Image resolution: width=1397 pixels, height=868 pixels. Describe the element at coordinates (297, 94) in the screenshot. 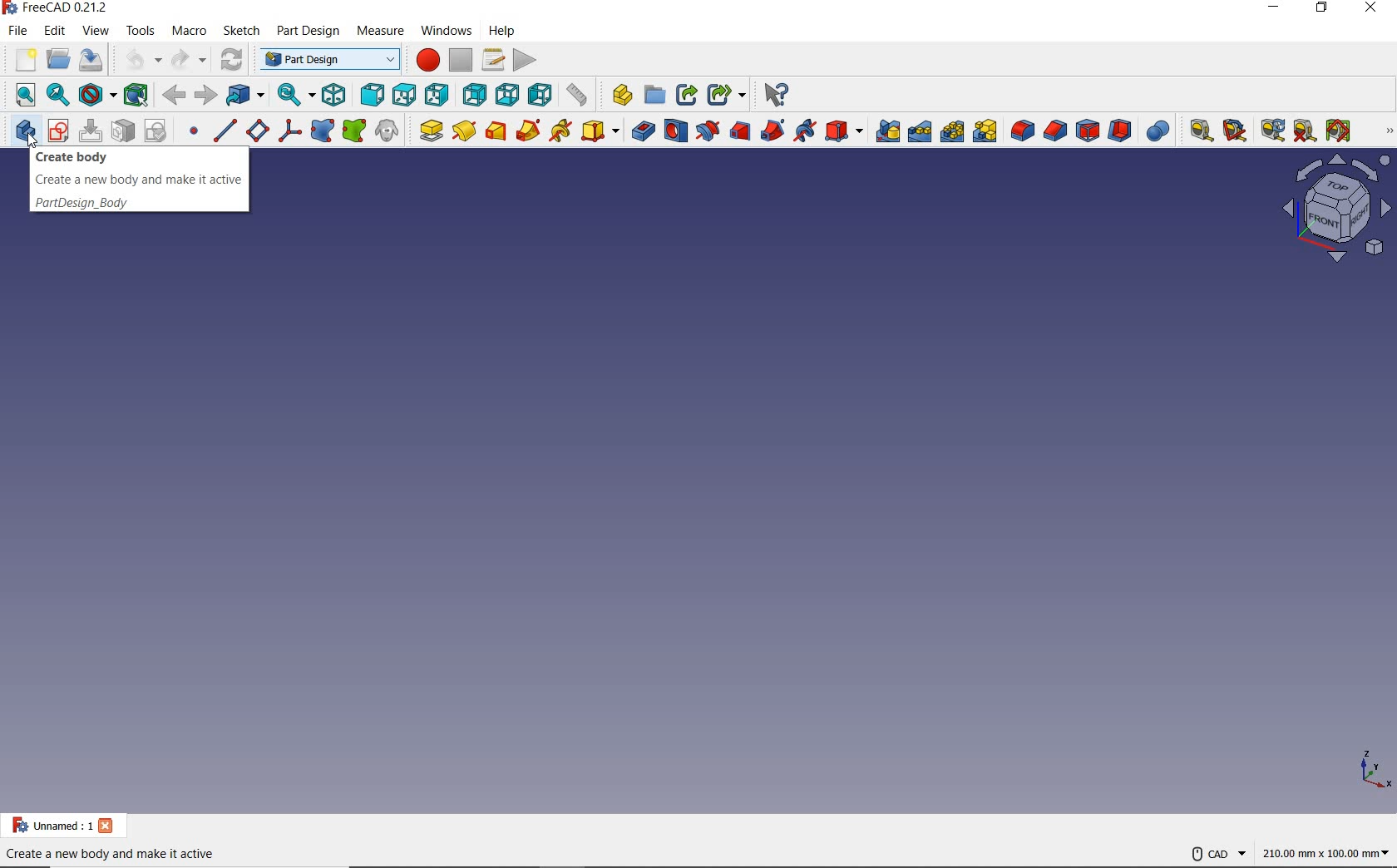

I see `sync view` at that location.